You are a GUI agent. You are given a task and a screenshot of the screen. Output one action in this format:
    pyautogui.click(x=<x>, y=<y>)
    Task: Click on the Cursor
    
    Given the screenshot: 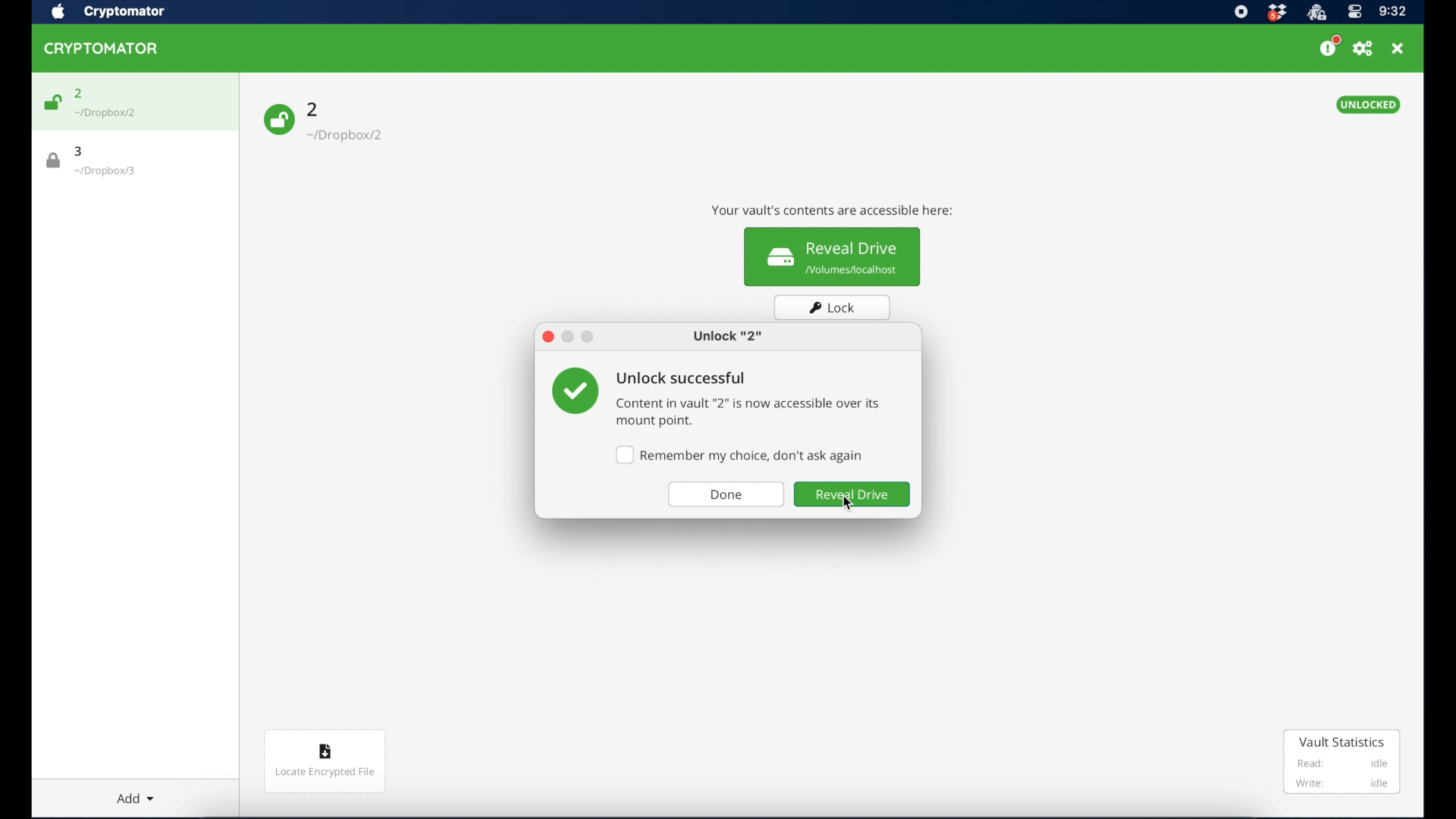 What is the action you would take?
    pyautogui.click(x=848, y=503)
    